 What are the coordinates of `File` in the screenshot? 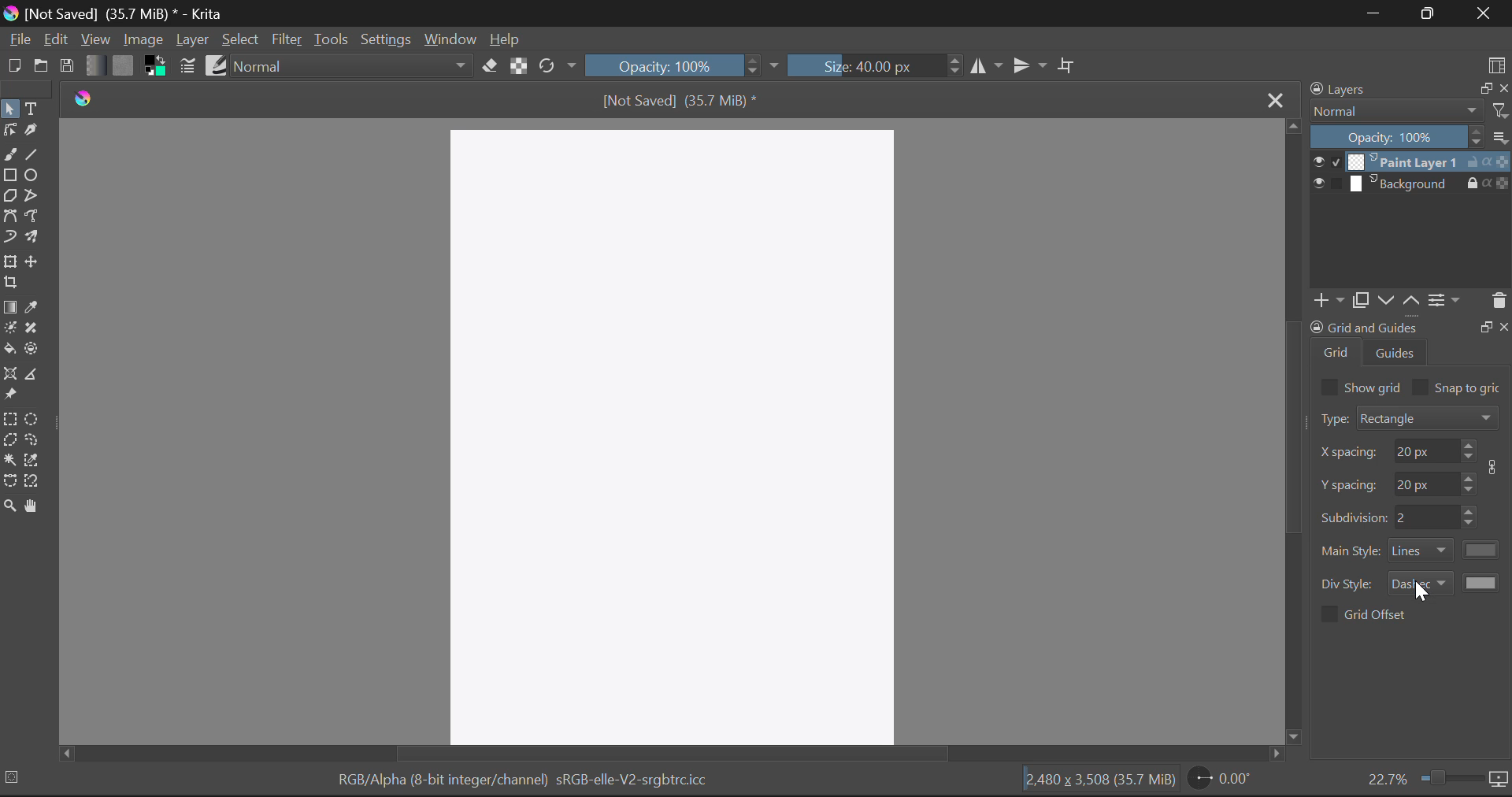 It's located at (19, 40).